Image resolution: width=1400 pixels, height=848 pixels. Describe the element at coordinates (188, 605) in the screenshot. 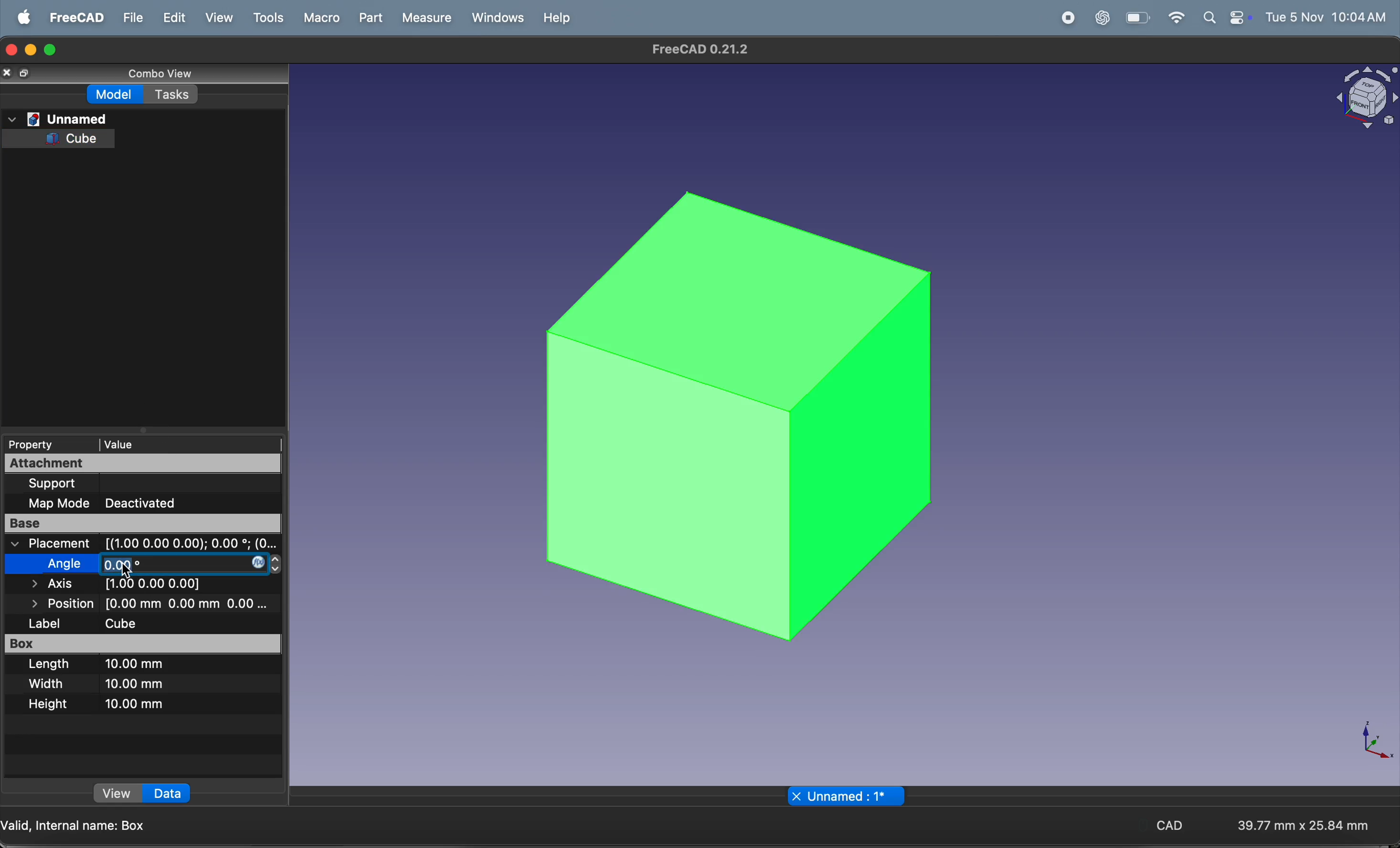

I see `distance` at that location.